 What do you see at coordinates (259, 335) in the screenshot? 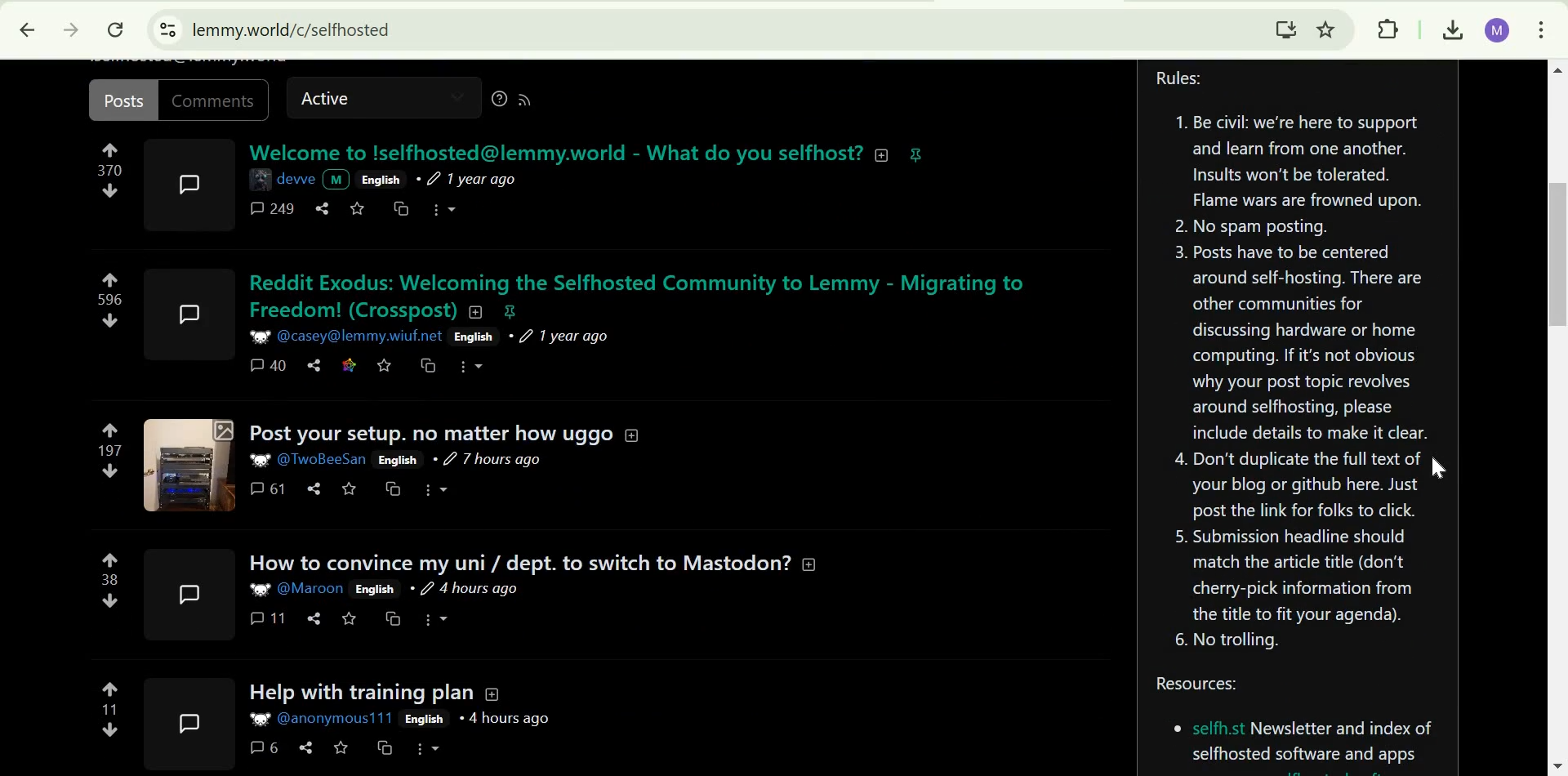
I see `picture` at bounding box center [259, 335].